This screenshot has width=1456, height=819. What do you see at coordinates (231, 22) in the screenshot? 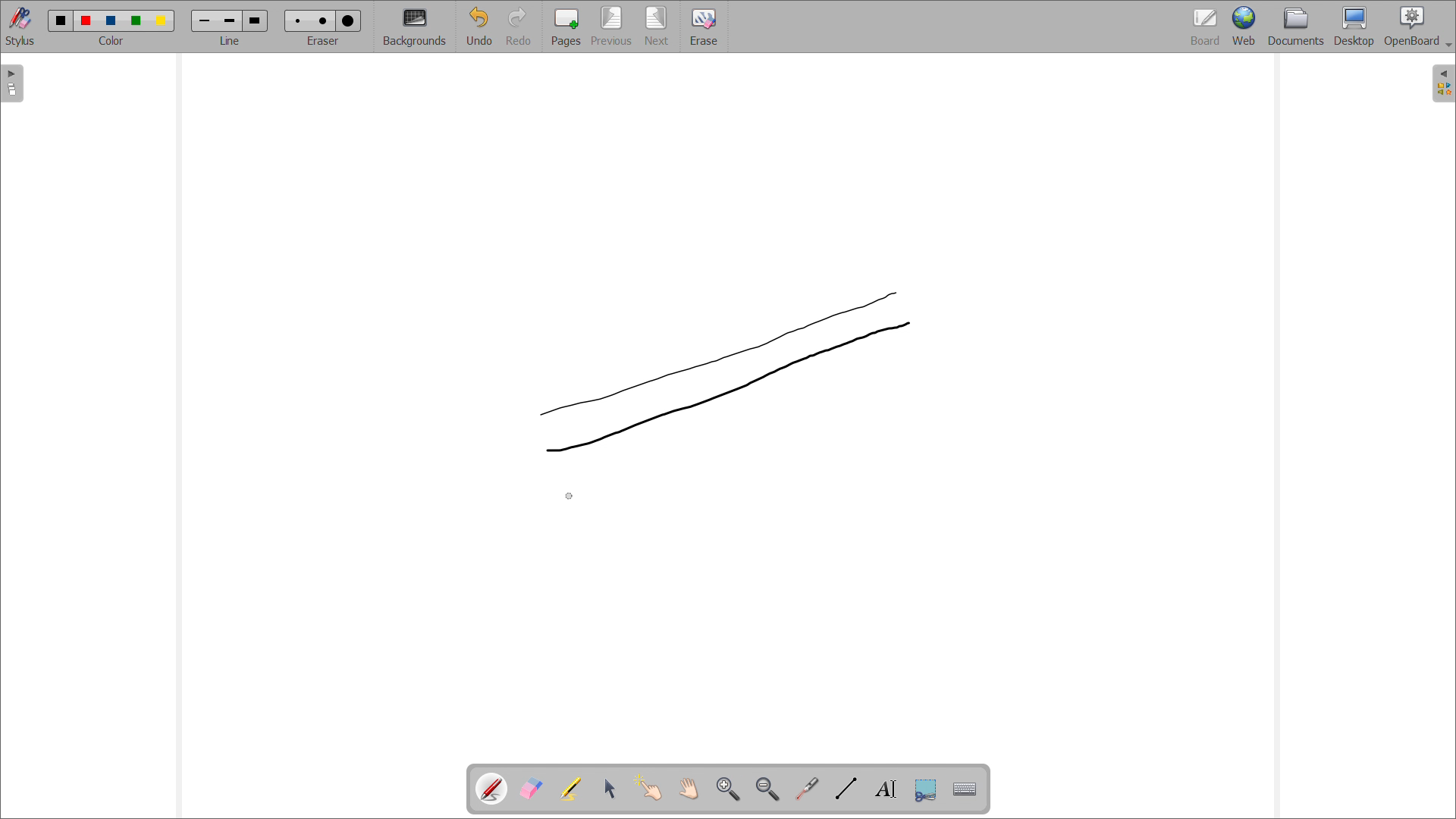
I see `line width size` at bounding box center [231, 22].